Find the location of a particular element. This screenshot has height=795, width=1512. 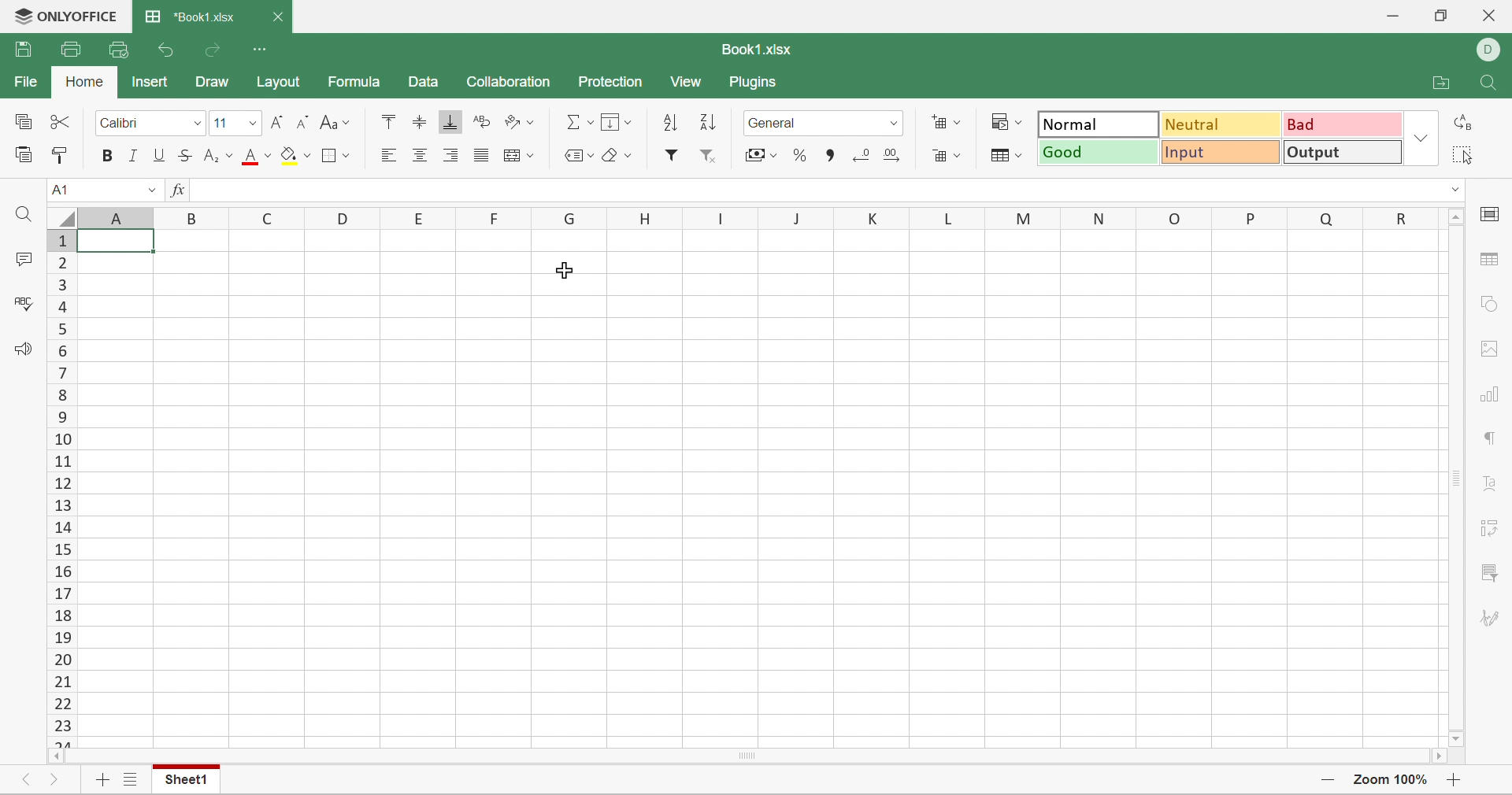

Open file location is located at coordinates (1440, 83).